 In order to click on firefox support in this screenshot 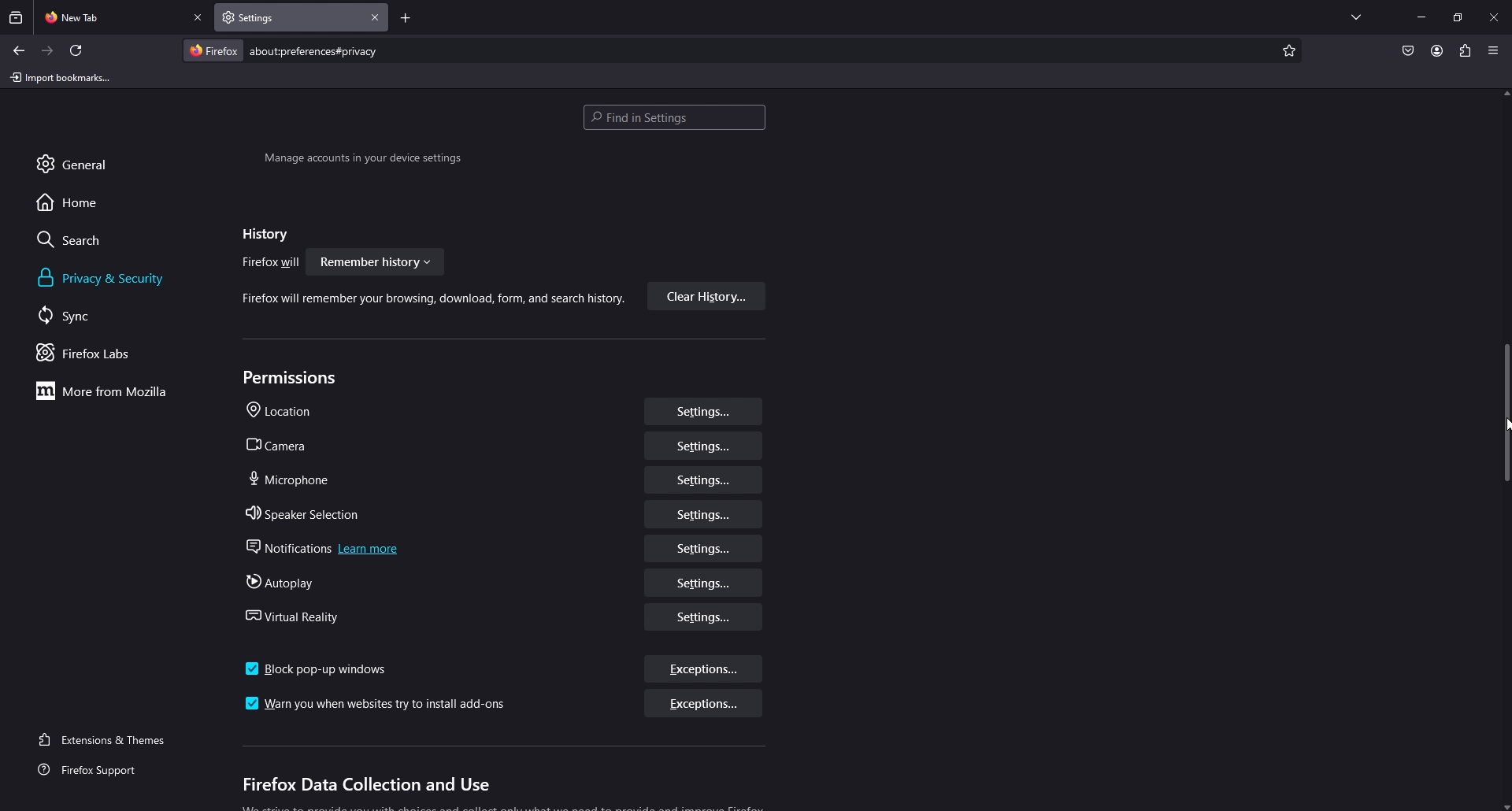, I will do `click(102, 771)`.